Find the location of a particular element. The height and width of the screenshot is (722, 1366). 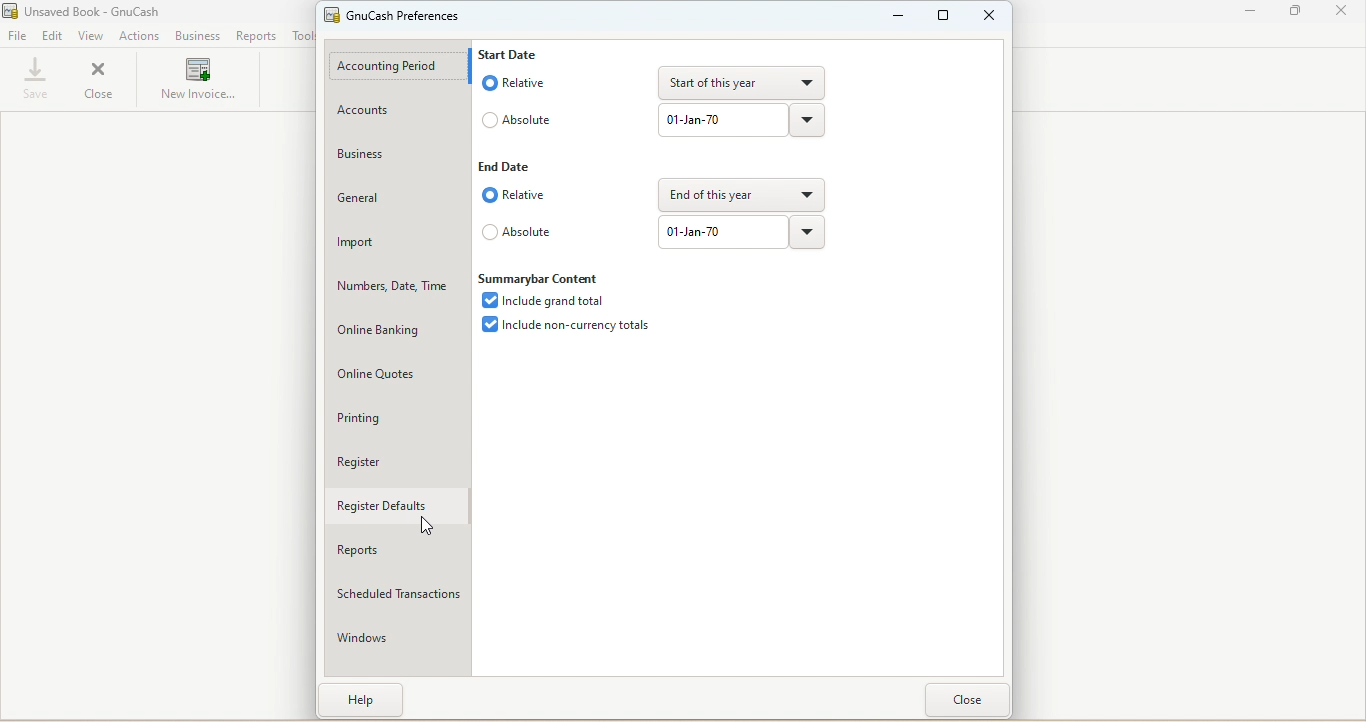

Maximize is located at coordinates (1295, 15).